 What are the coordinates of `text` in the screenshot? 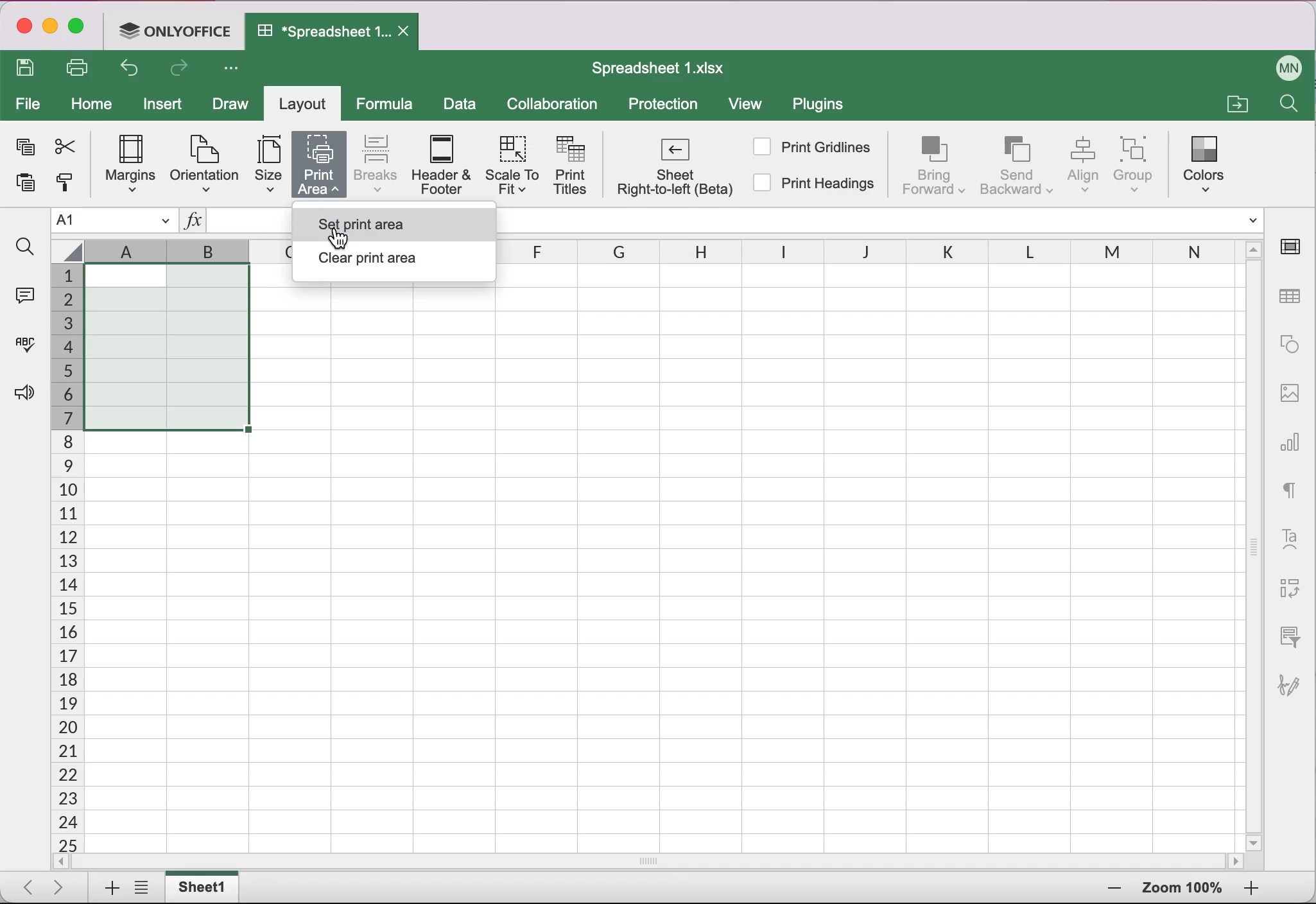 It's located at (1290, 487).